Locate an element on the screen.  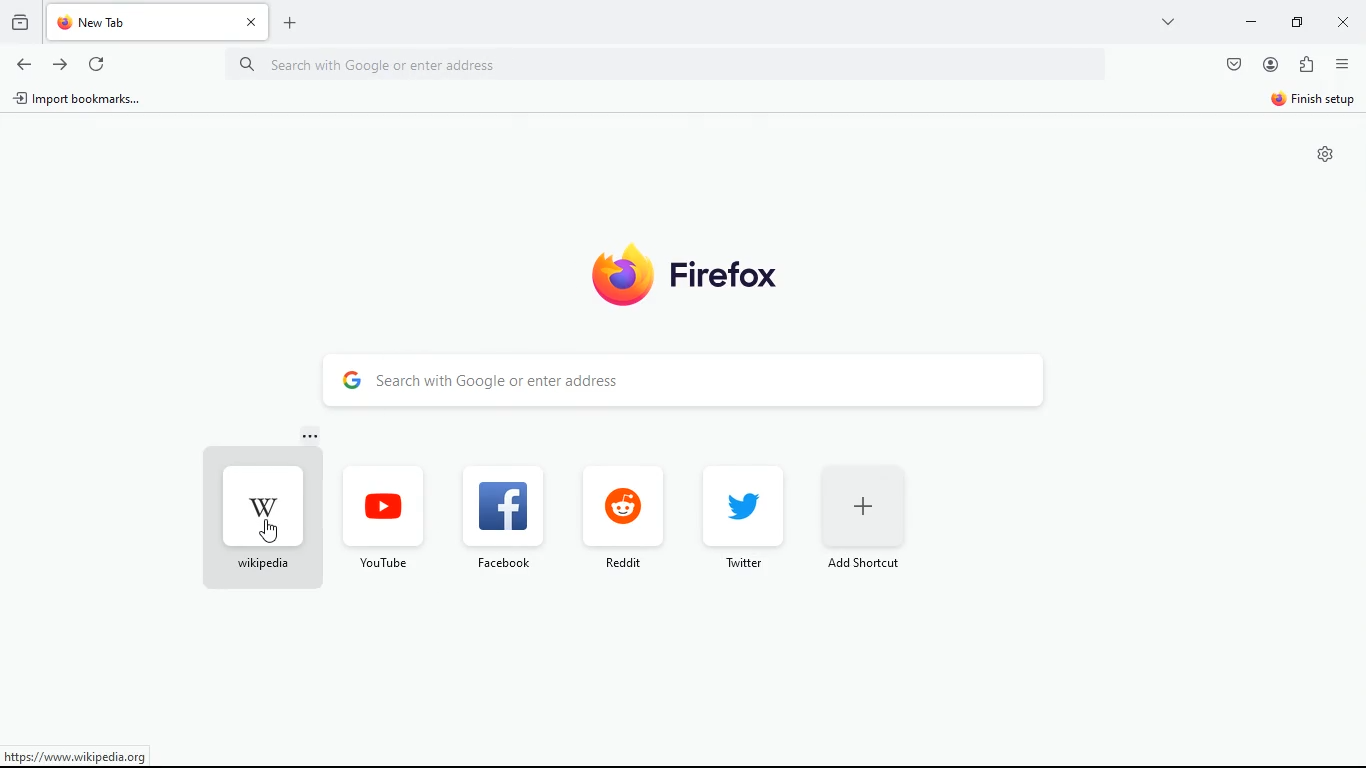
youtube logo is located at coordinates (387, 496).